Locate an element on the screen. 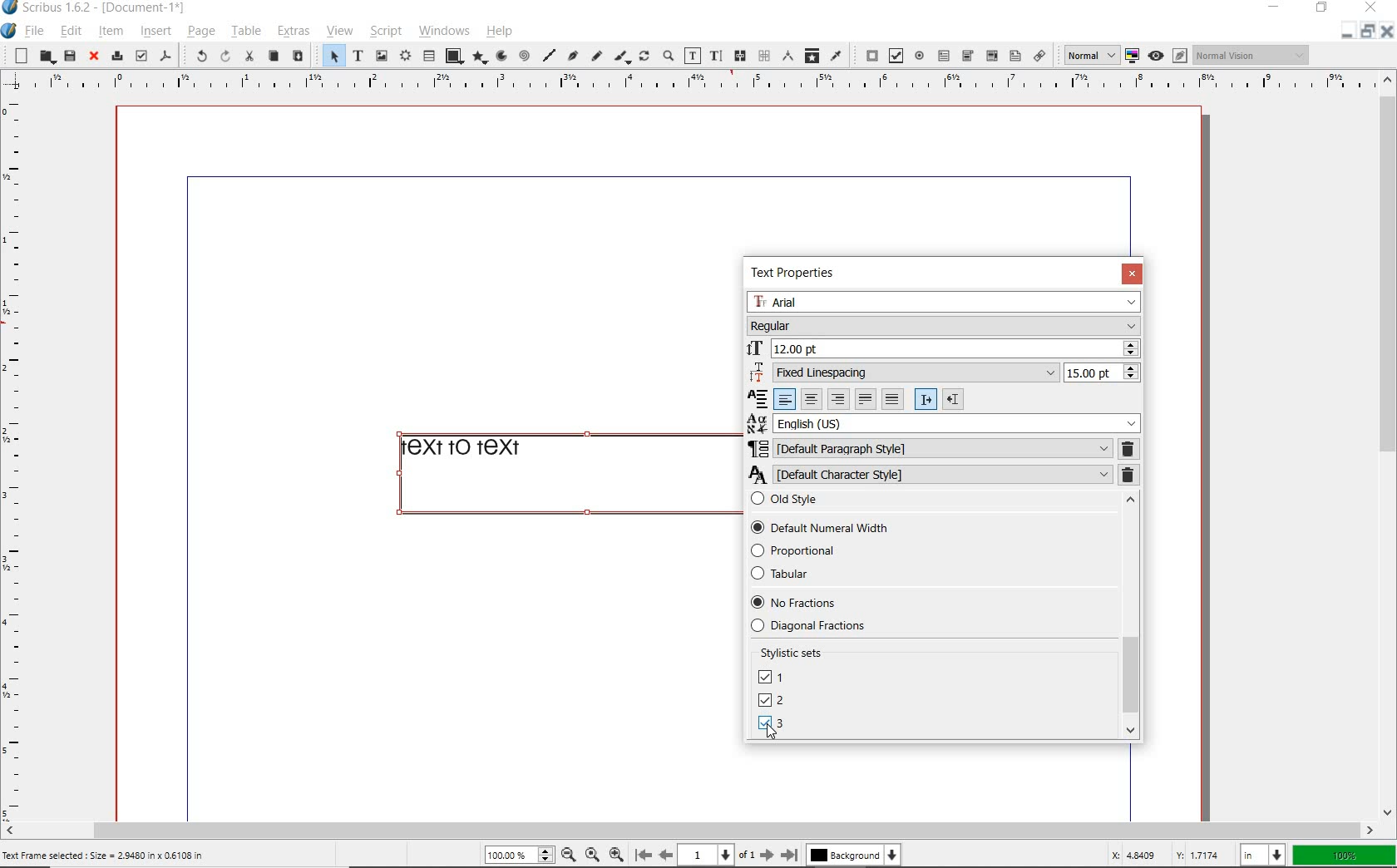  print is located at coordinates (116, 55).